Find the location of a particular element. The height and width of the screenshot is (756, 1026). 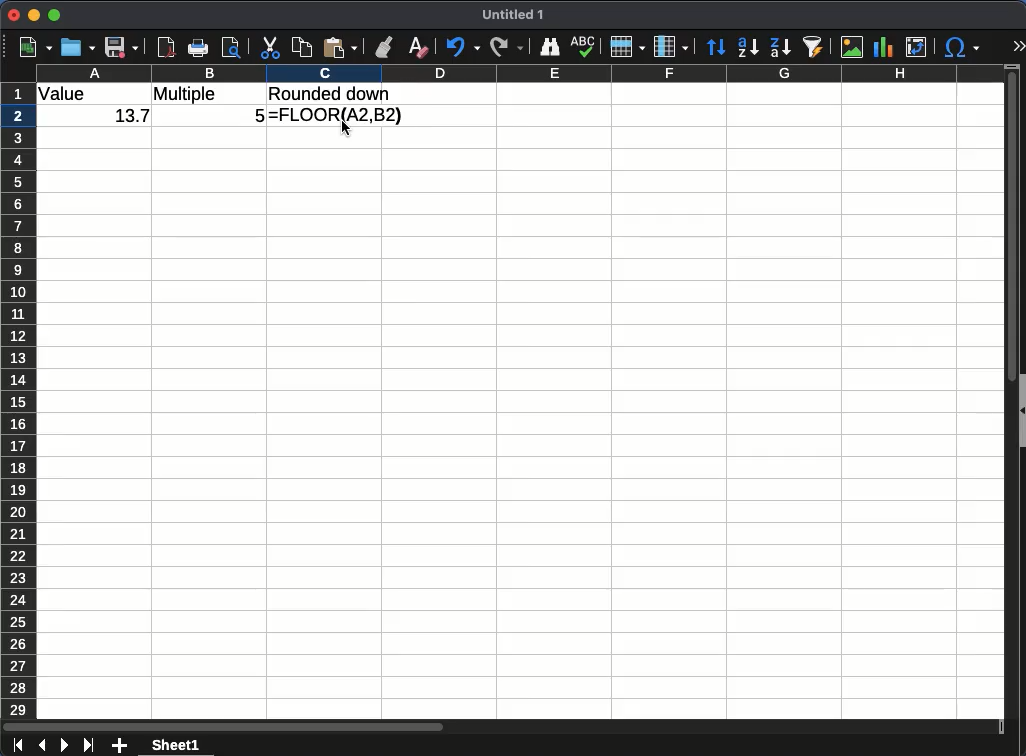

next sheet is located at coordinates (64, 745).